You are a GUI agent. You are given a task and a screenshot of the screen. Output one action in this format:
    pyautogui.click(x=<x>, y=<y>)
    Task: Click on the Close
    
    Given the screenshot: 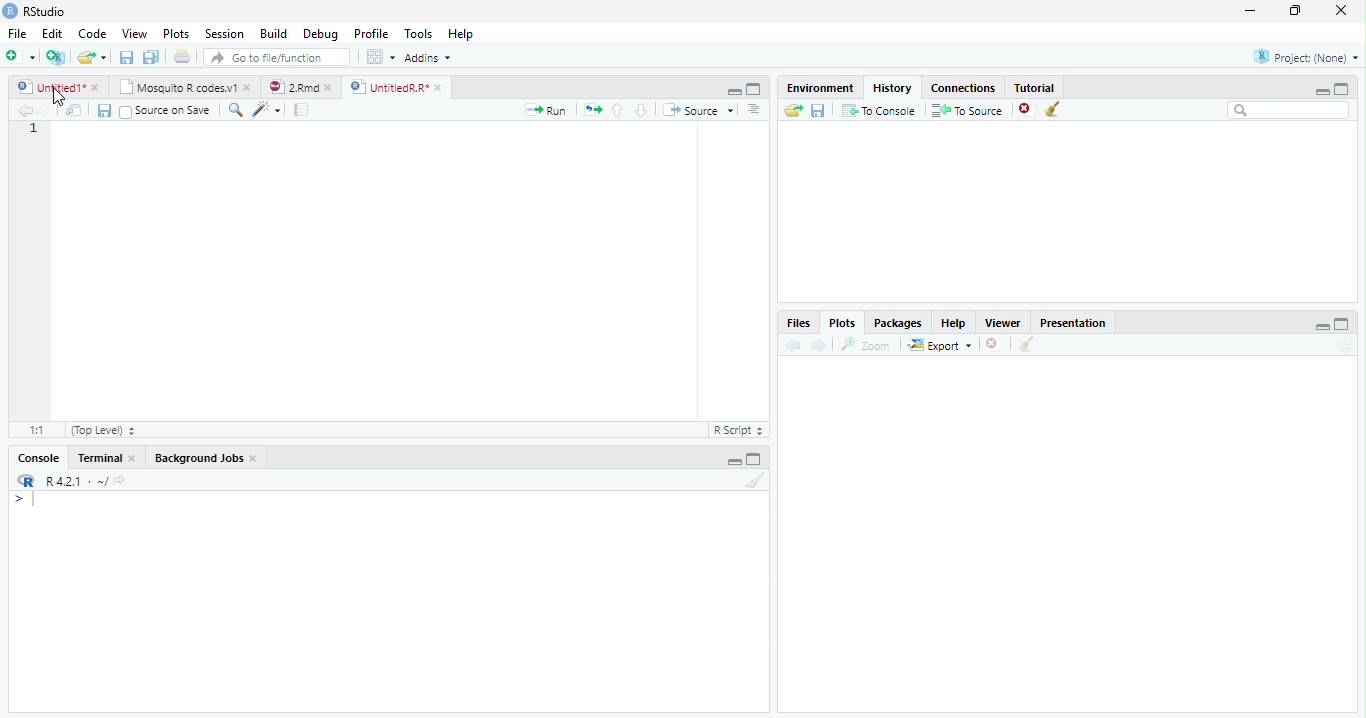 What is the action you would take?
    pyautogui.click(x=1339, y=12)
    